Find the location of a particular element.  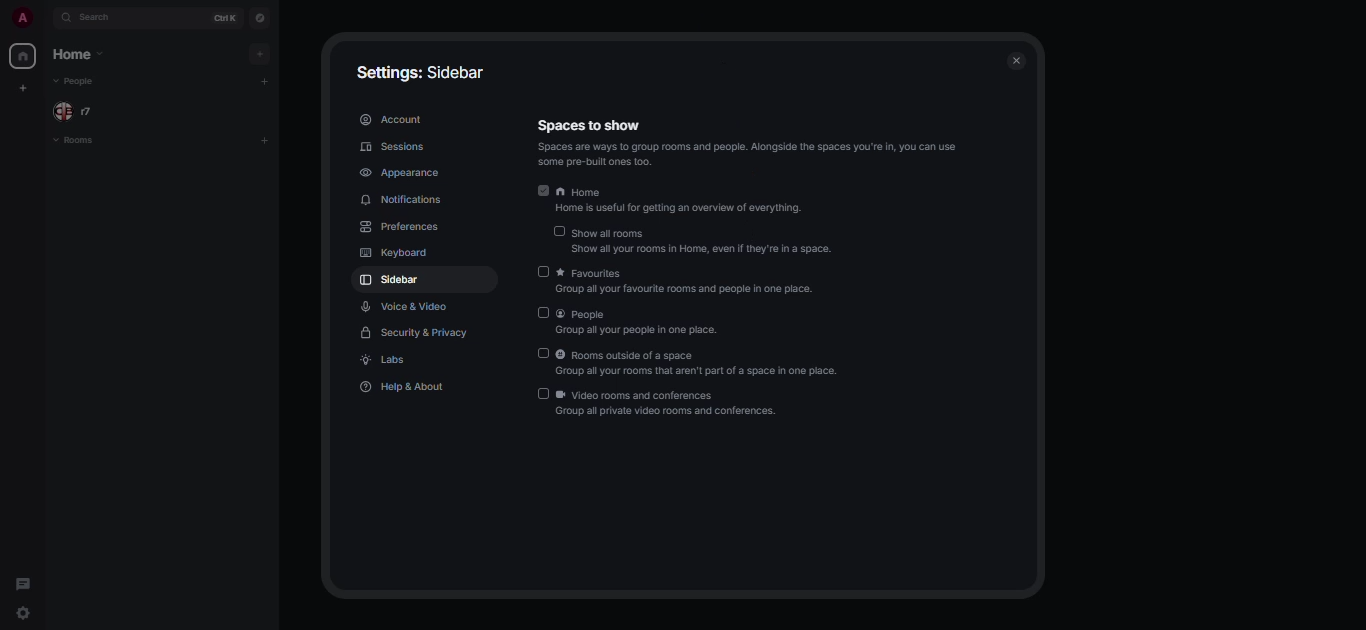

people is located at coordinates (639, 323).